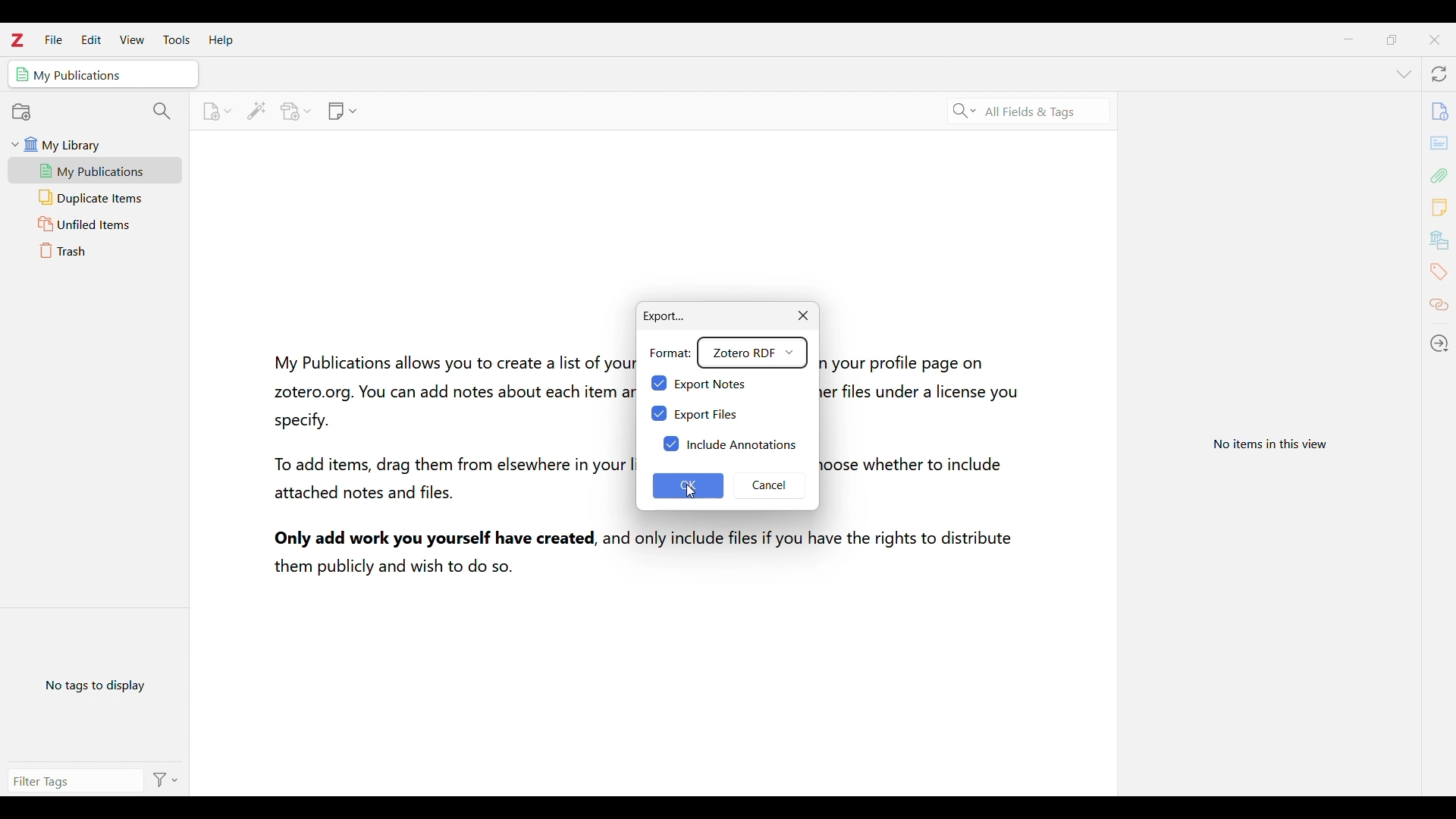 The height and width of the screenshot is (819, 1456). I want to click on Cursor, so click(688, 488).